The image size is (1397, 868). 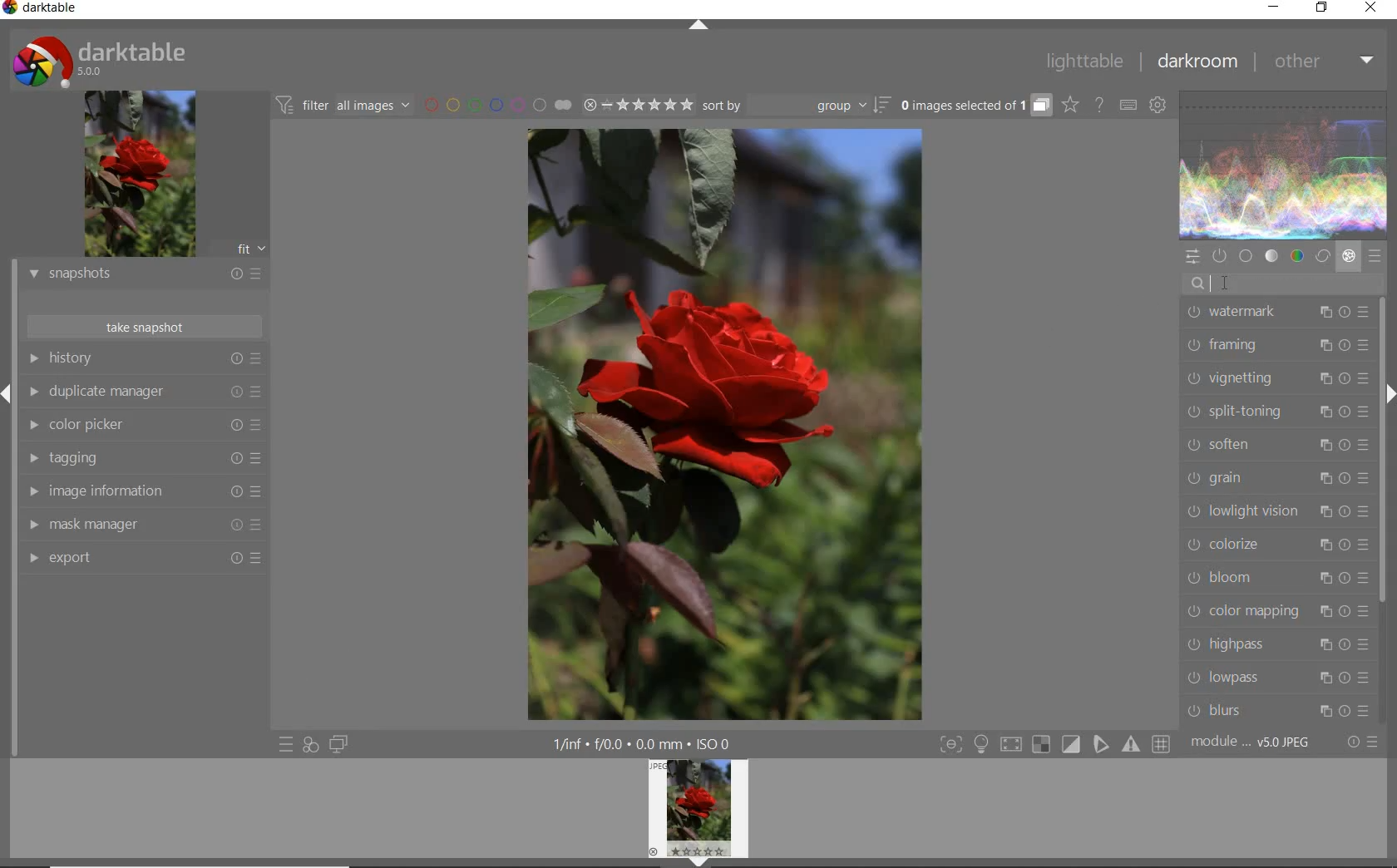 I want to click on show only active modules, so click(x=1218, y=254).